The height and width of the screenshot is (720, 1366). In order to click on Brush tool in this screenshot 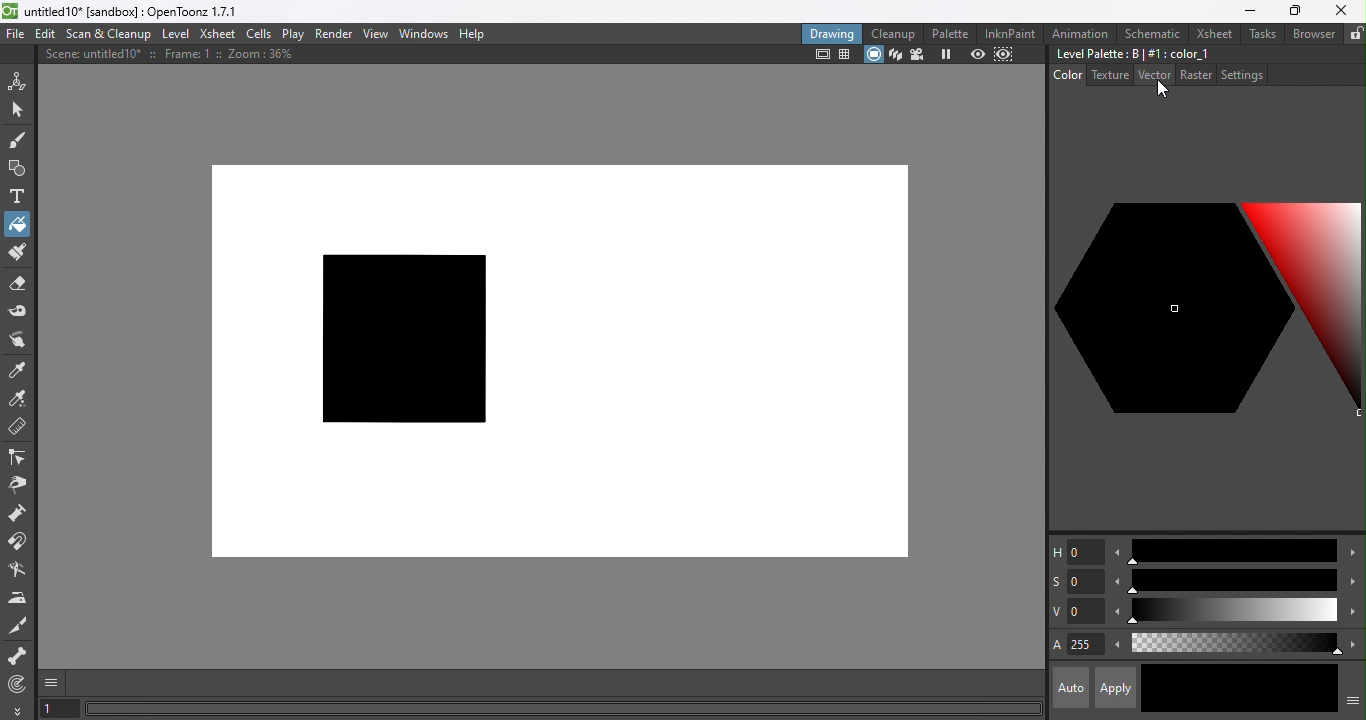, I will do `click(22, 139)`.